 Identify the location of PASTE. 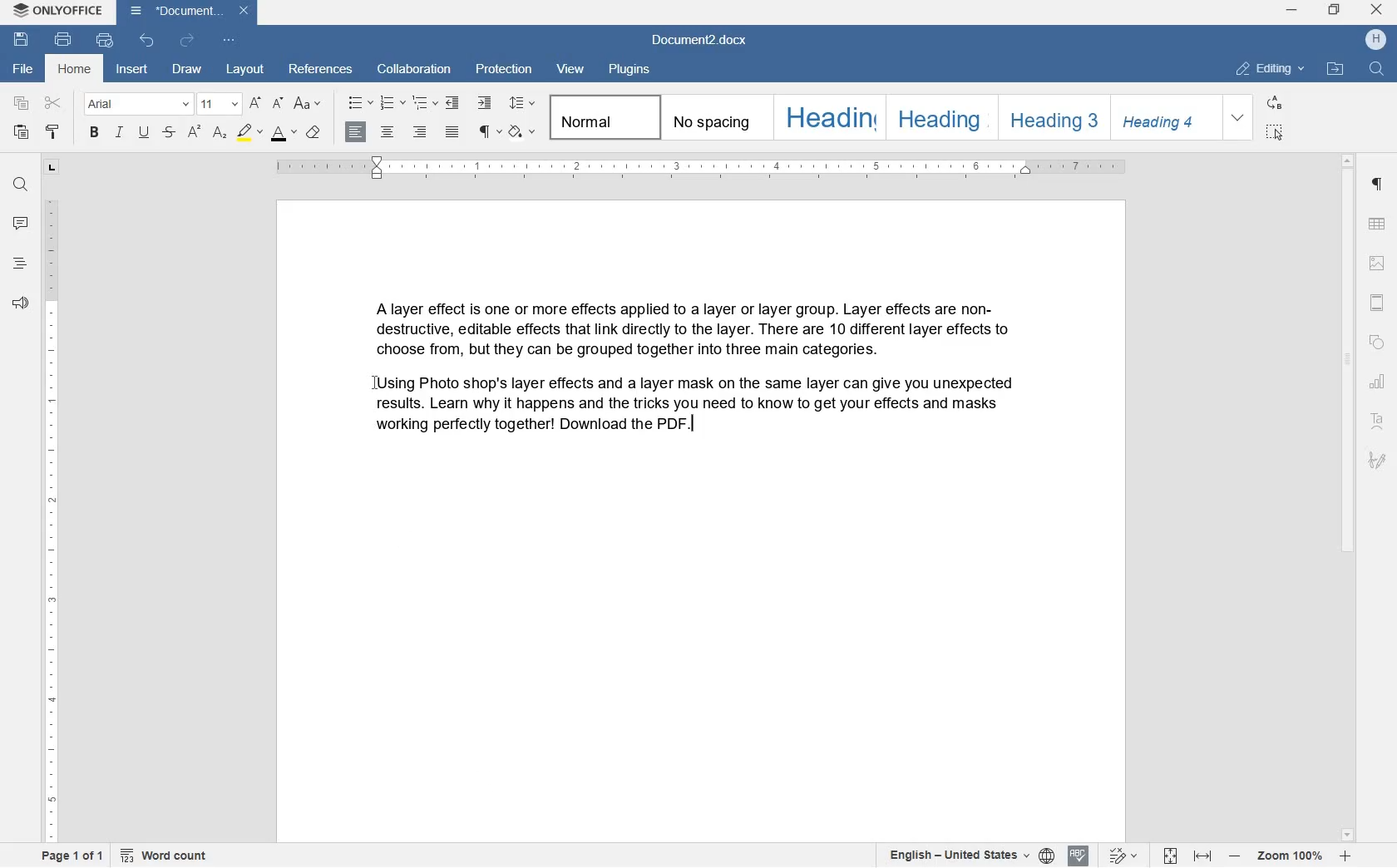
(23, 134).